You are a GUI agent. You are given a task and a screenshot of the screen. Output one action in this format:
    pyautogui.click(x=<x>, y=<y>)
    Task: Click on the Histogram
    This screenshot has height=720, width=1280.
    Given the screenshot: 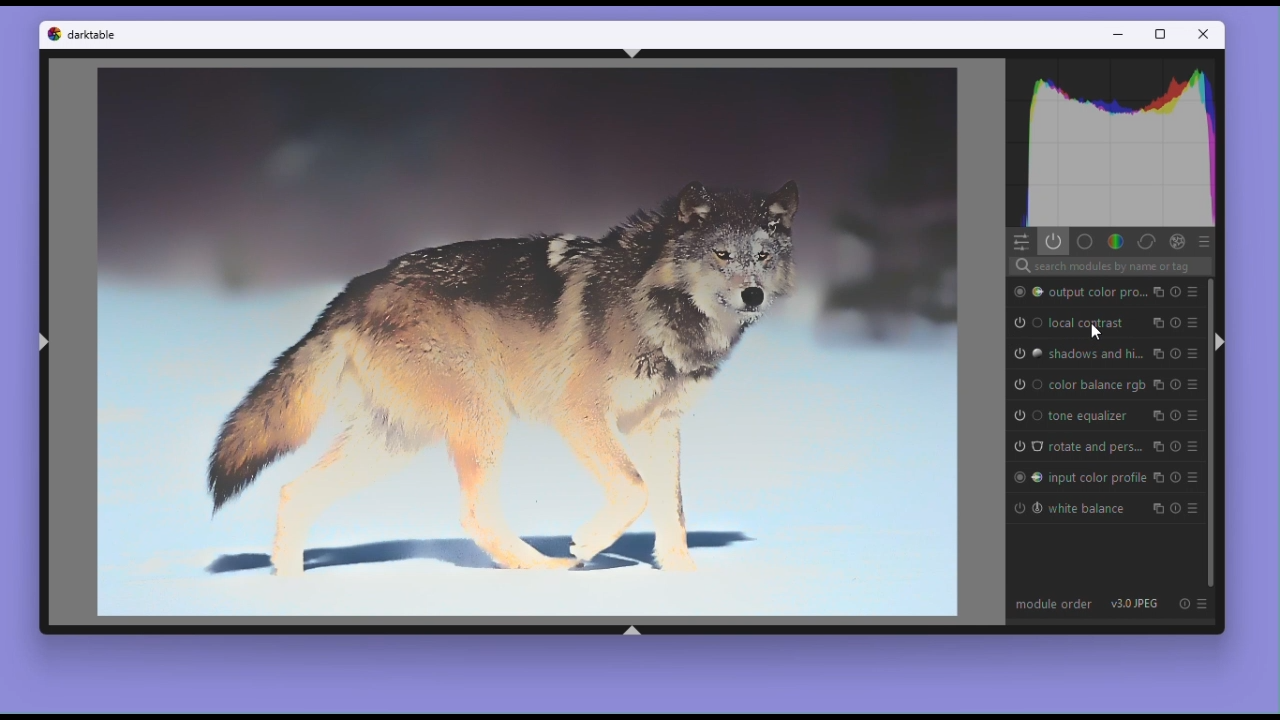 What is the action you would take?
    pyautogui.click(x=1110, y=145)
    